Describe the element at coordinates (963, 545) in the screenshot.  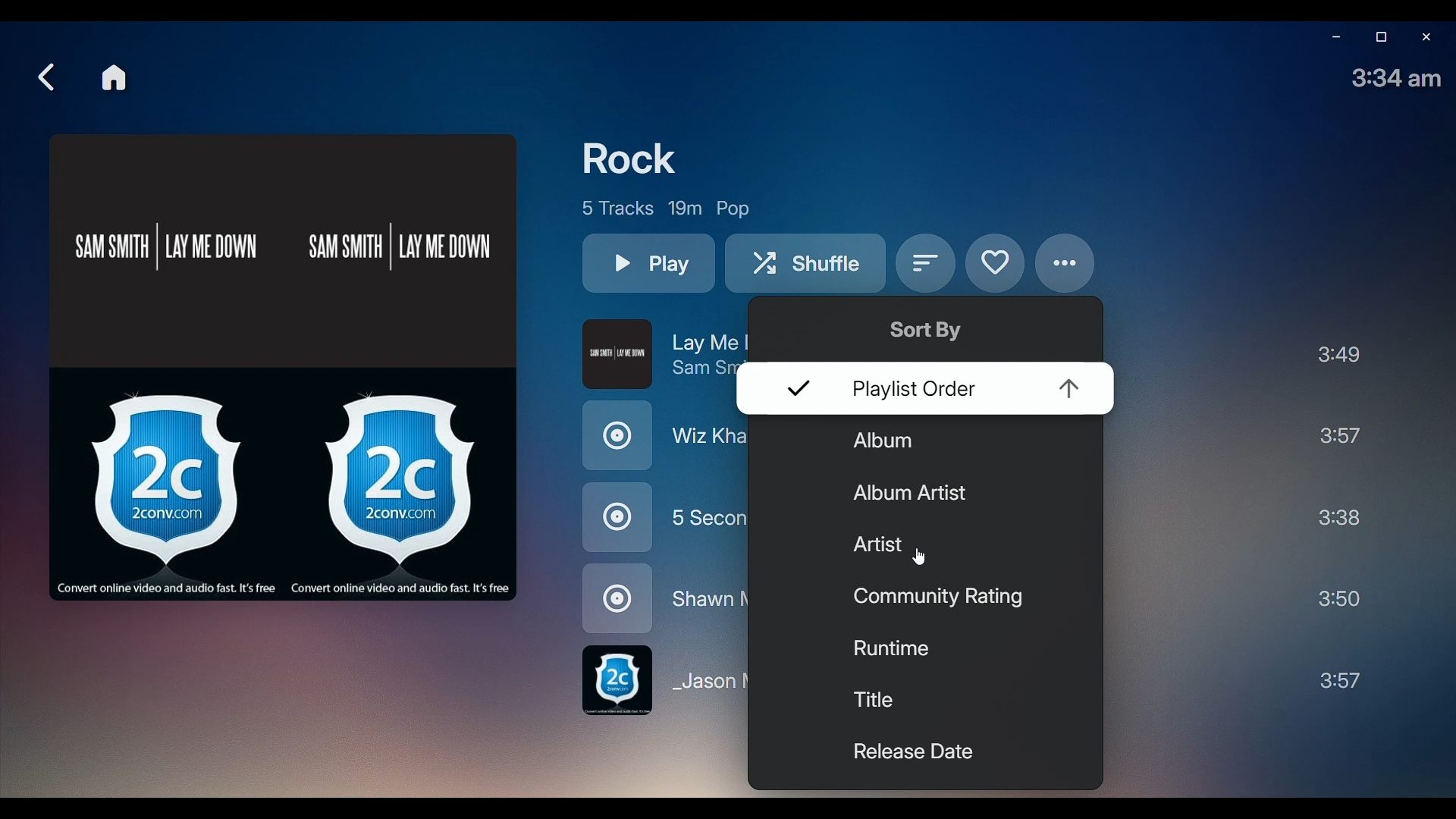
I see `Artist` at that location.